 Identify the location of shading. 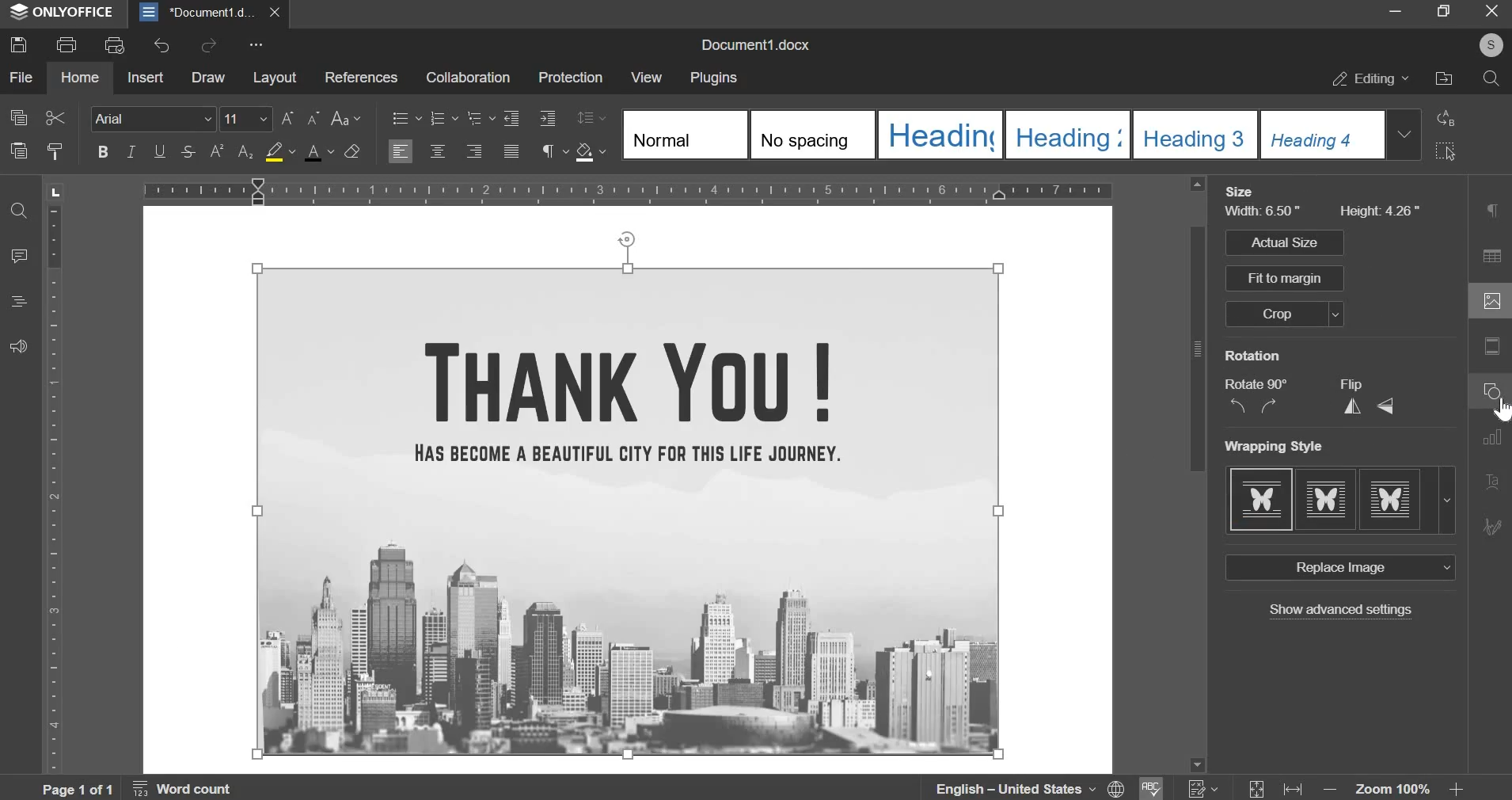
(591, 152).